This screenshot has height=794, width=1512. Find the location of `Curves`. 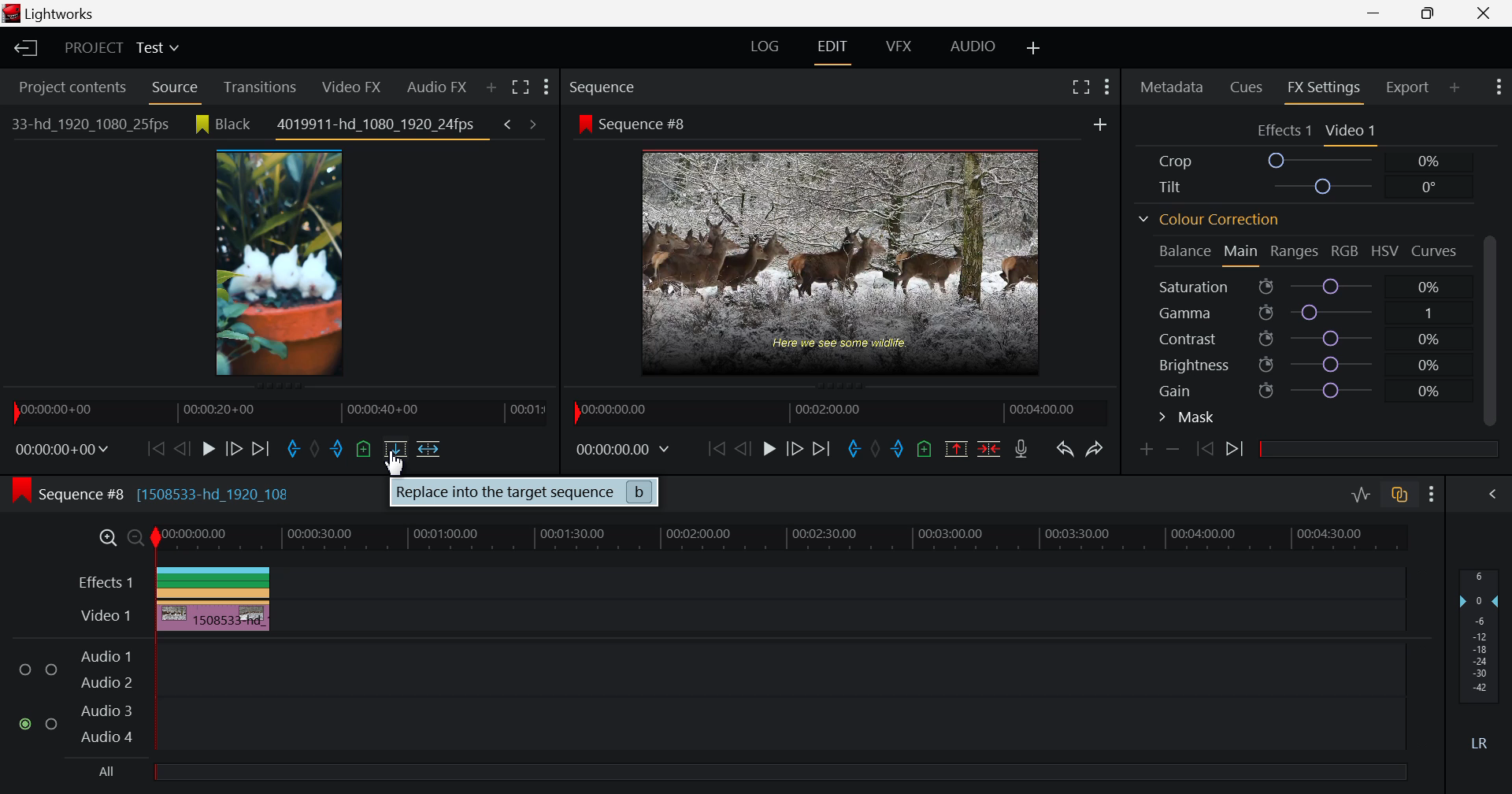

Curves is located at coordinates (1438, 252).